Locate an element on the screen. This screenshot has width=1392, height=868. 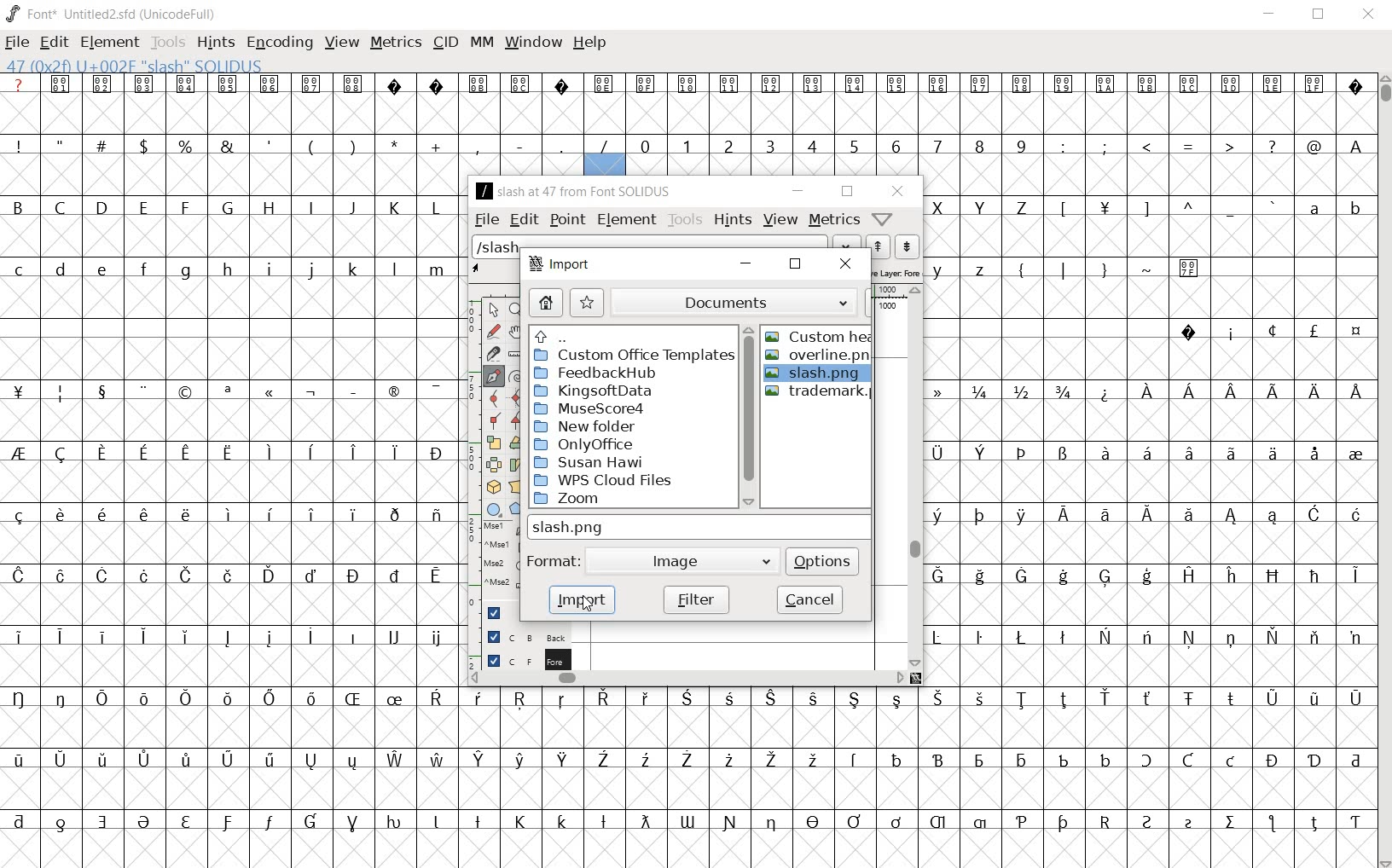
rotate the selection in 3D and project back to plane is located at coordinates (494, 488).